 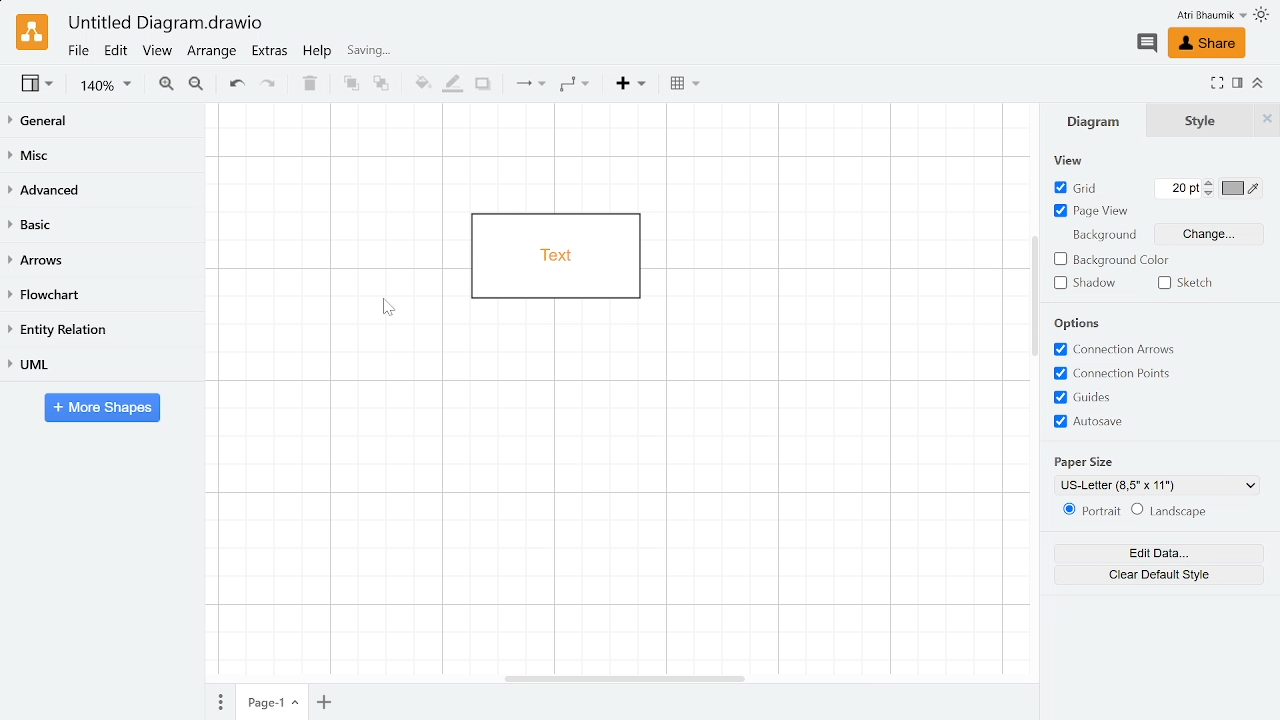 What do you see at coordinates (103, 158) in the screenshot?
I see `Misc` at bounding box center [103, 158].